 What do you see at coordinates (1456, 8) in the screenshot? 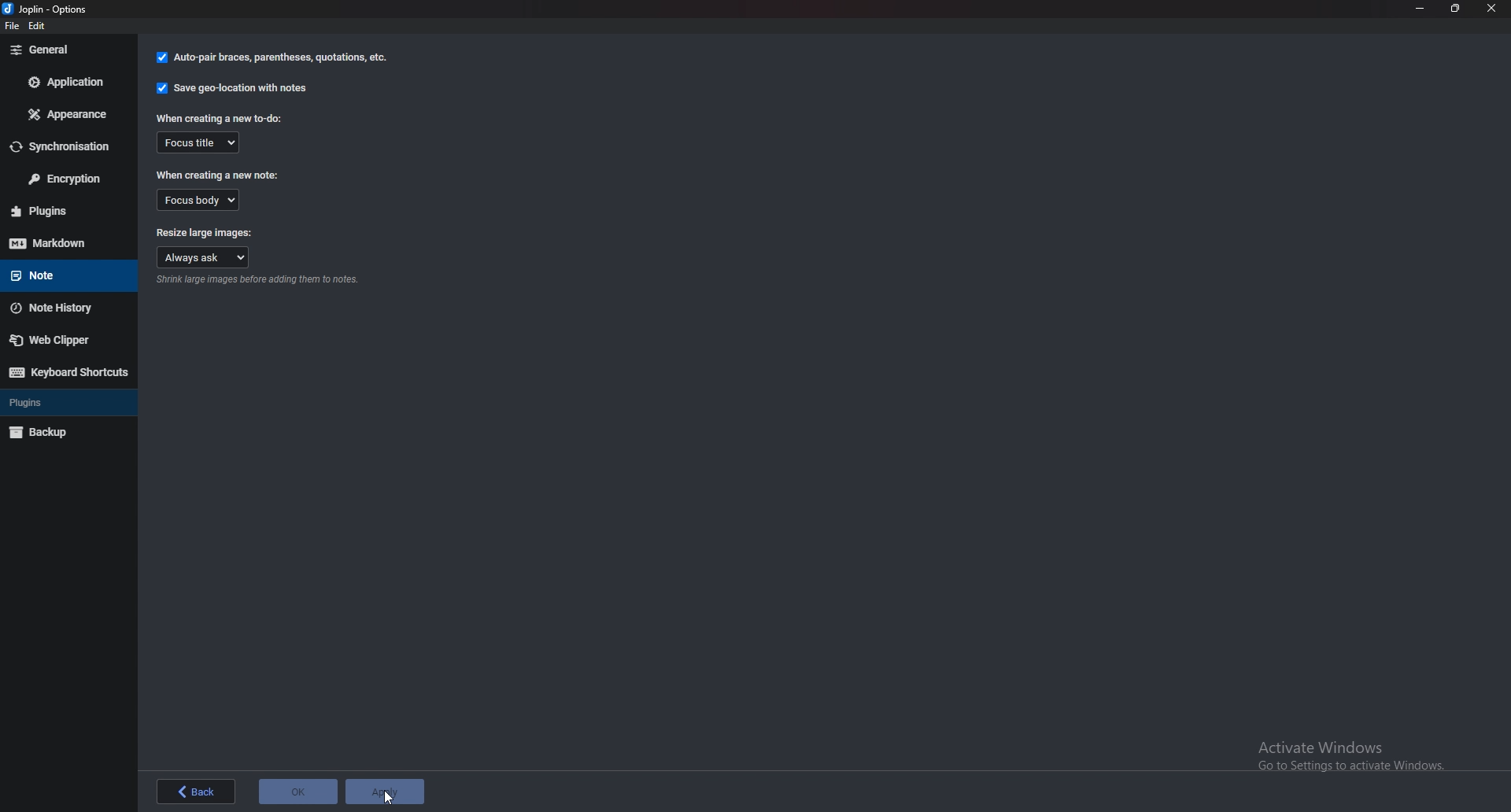
I see `Resize` at bounding box center [1456, 8].